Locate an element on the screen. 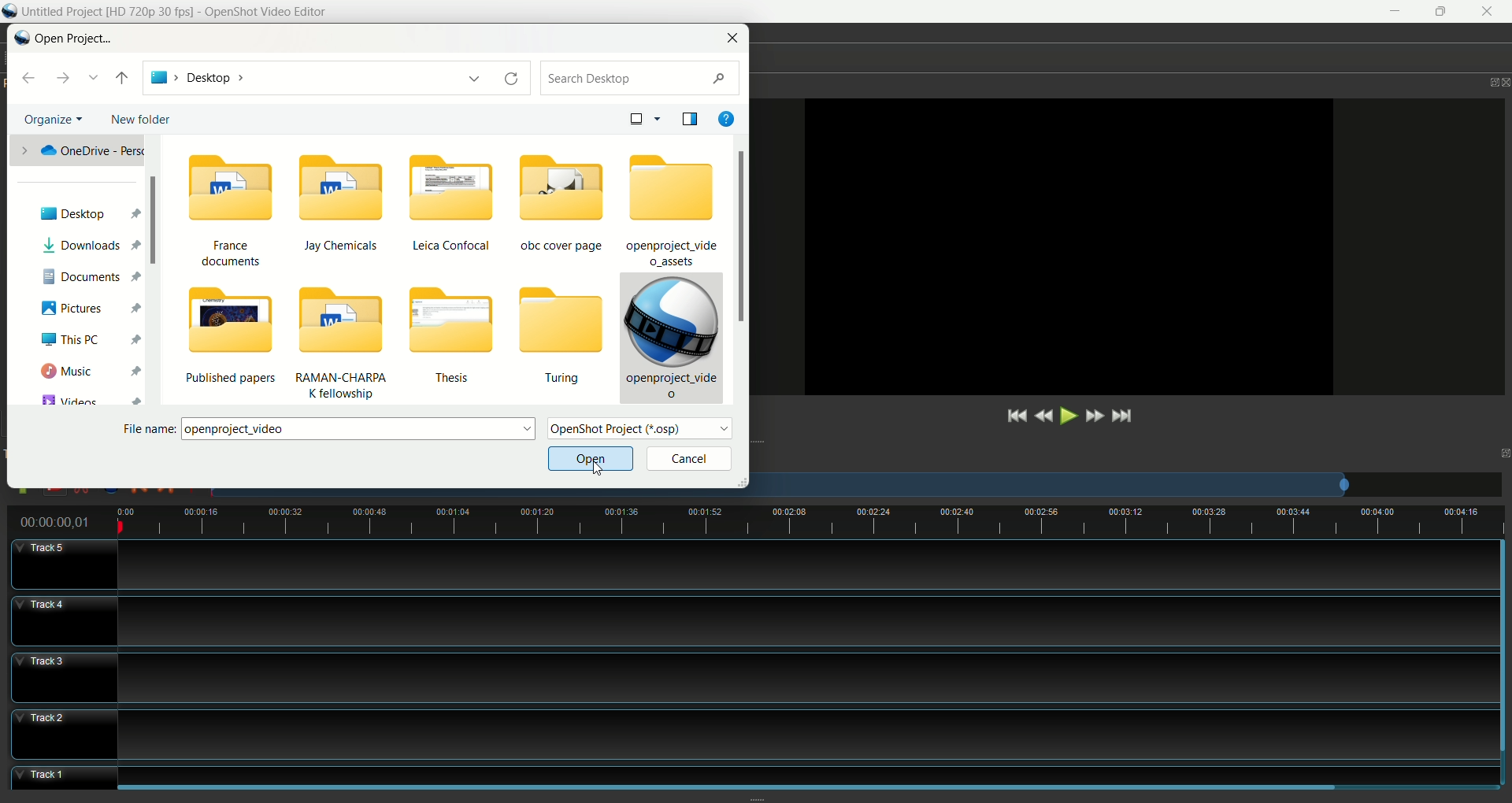 This screenshot has height=803, width=1512. pictures is located at coordinates (89, 308).